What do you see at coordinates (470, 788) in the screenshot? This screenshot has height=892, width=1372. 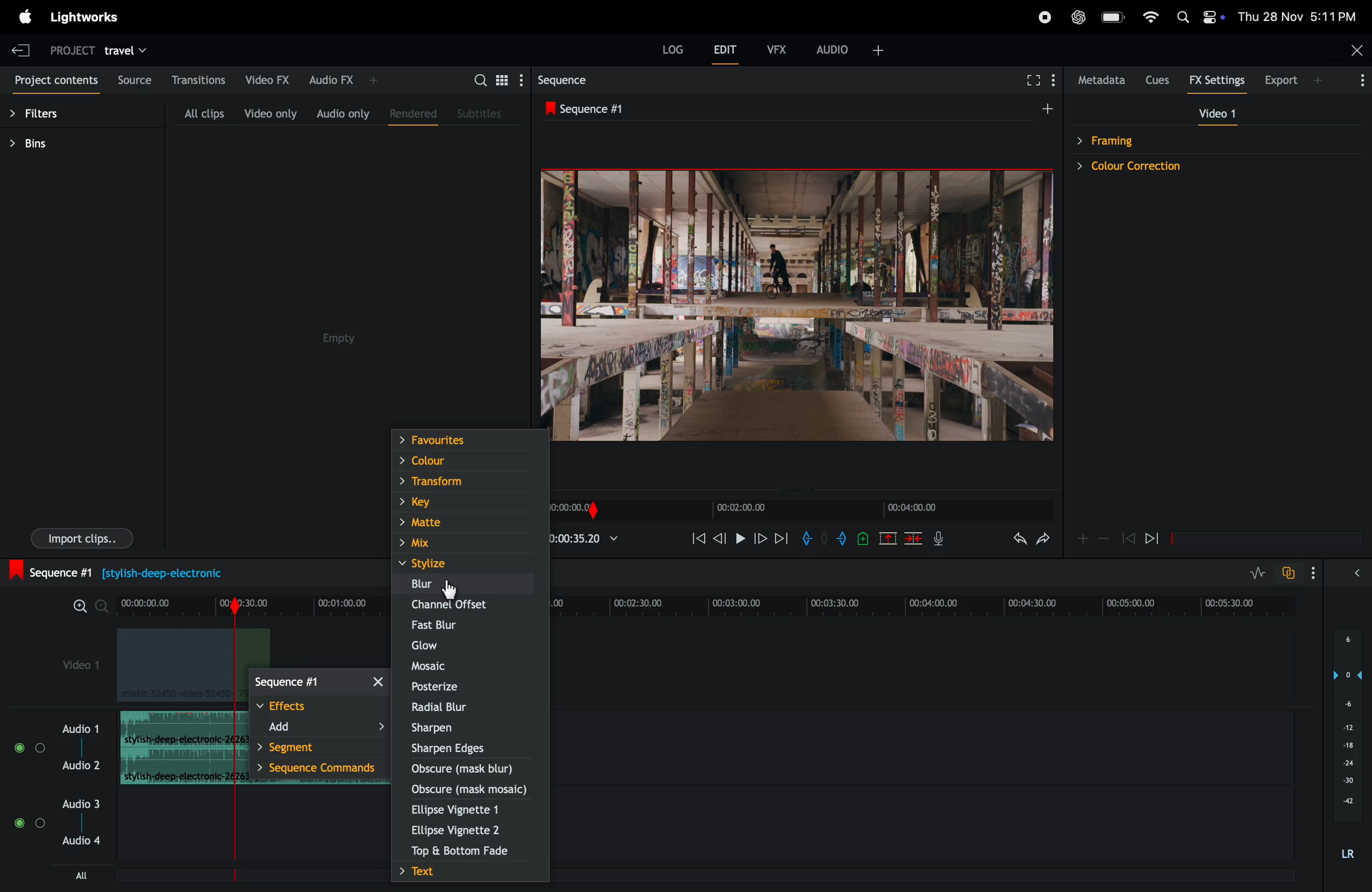 I see `obsecure mask mosaic` at bounding box center [470, 788].